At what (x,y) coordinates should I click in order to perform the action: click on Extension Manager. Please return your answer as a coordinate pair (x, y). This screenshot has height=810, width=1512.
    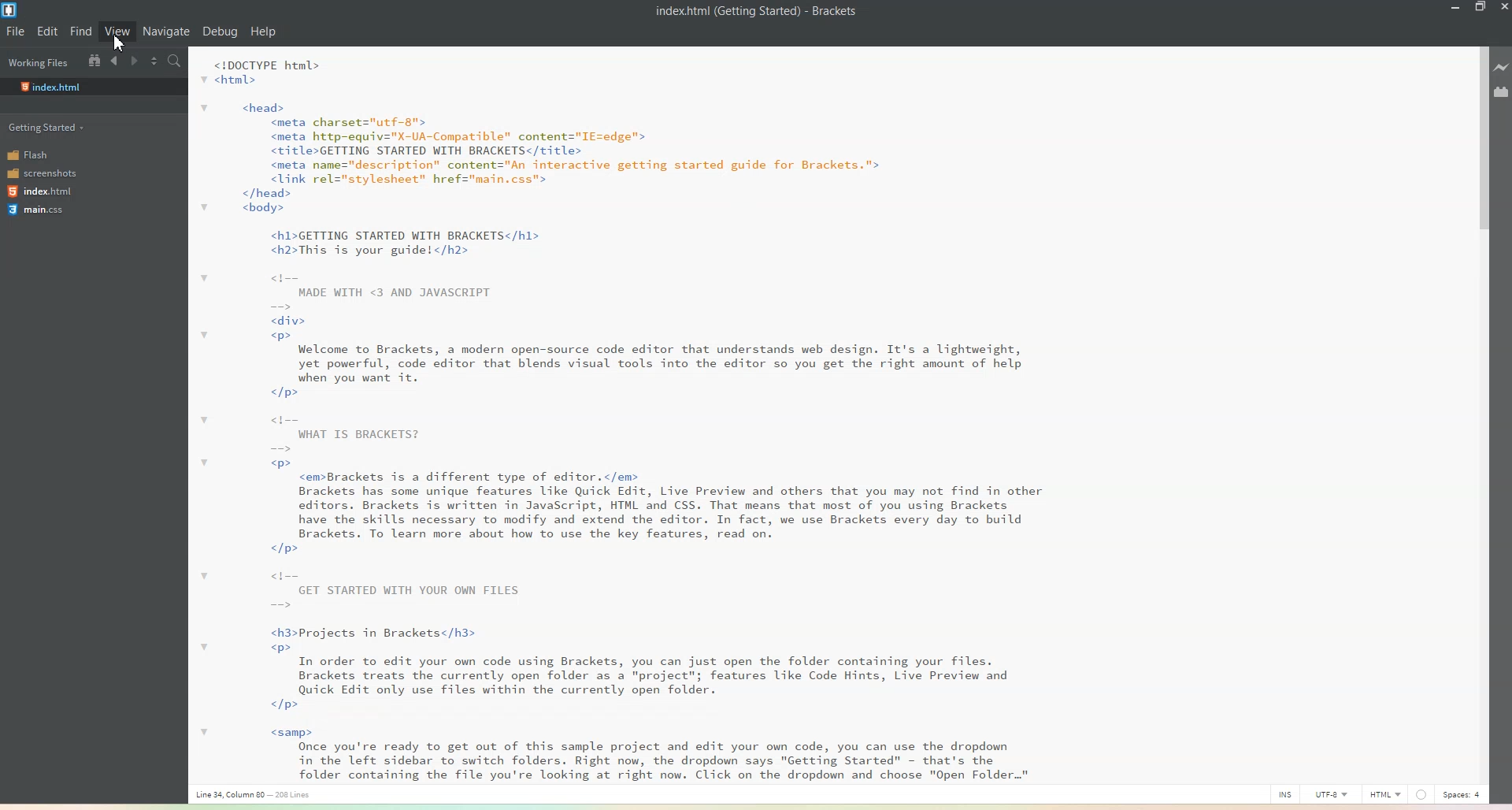
    Looking at the image, I should click on (1502, 91).